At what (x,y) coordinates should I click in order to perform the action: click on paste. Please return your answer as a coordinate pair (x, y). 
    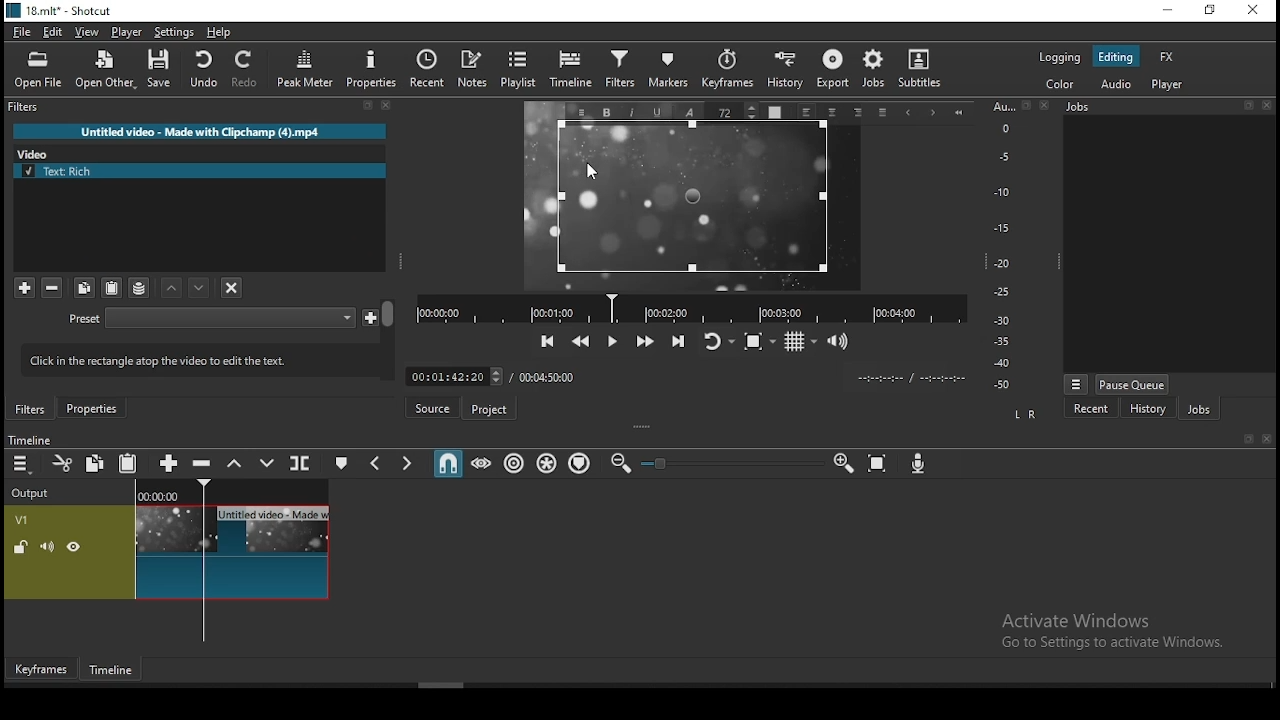
    Looking at the image, I should click on (111, 288).